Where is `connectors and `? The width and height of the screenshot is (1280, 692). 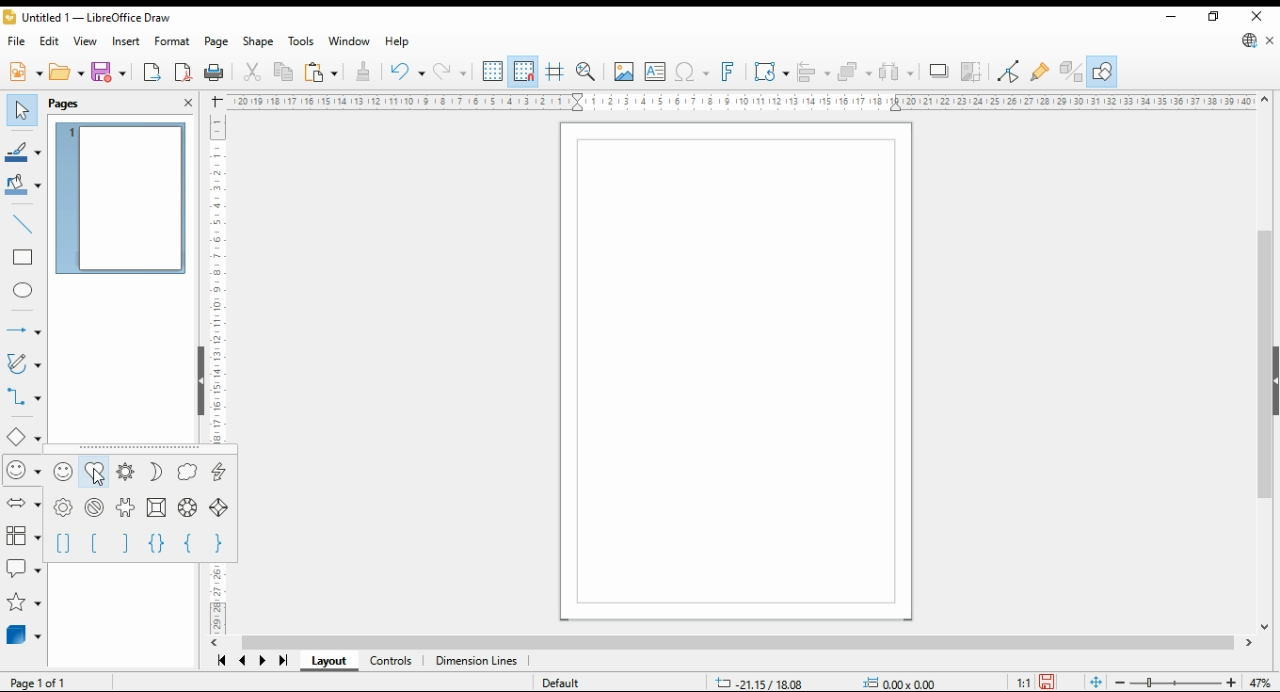 connectors and  is located at coordinates (23, 399).